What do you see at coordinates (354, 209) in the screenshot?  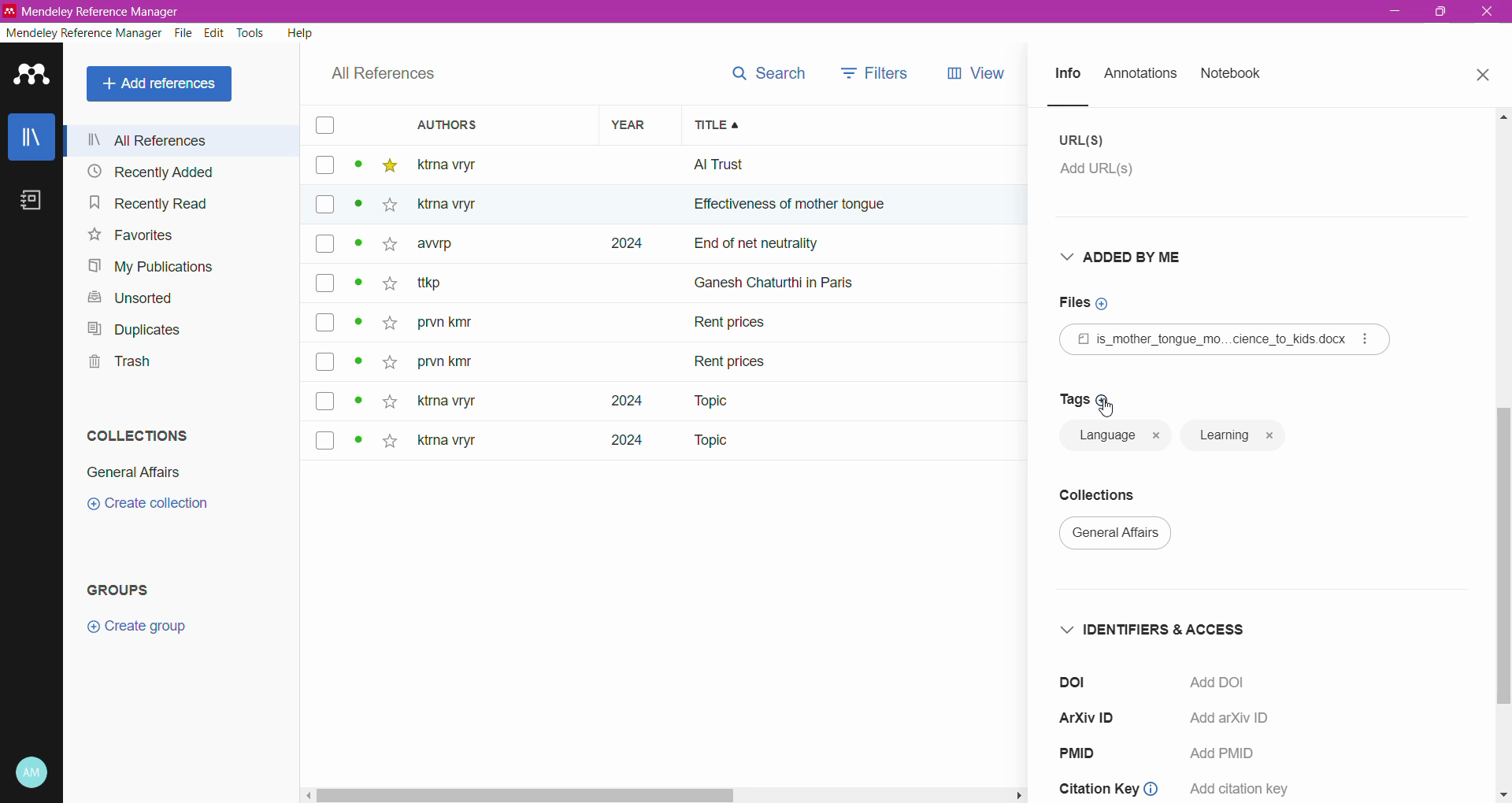 I see `dot ` at bounding box center [354, 209].